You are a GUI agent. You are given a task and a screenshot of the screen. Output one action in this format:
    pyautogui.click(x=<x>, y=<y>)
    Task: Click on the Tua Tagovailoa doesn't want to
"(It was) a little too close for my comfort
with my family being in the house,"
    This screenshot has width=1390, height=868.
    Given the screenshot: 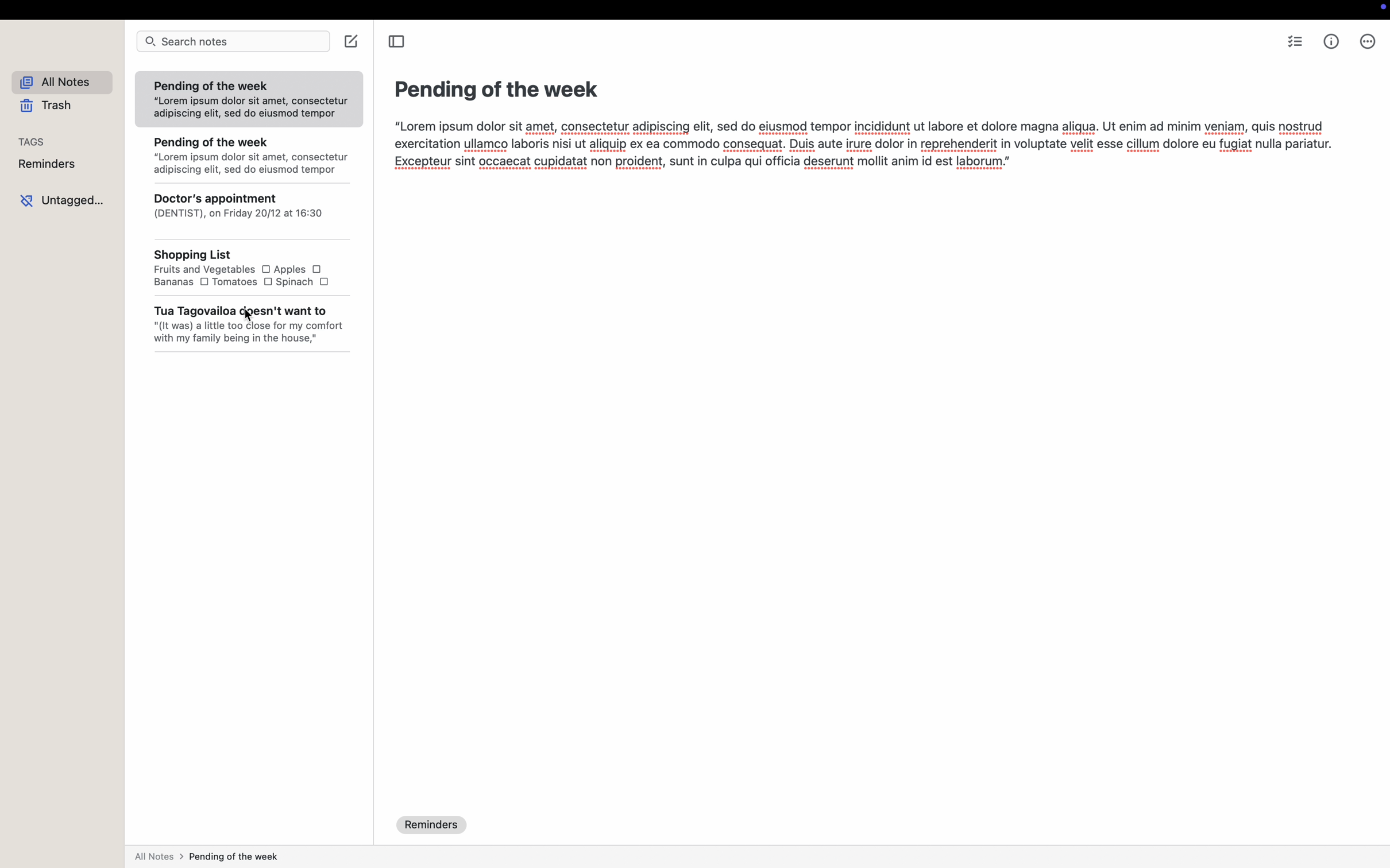 What is the action you would take?
    pyautogui.click(x=248, y=324)
    